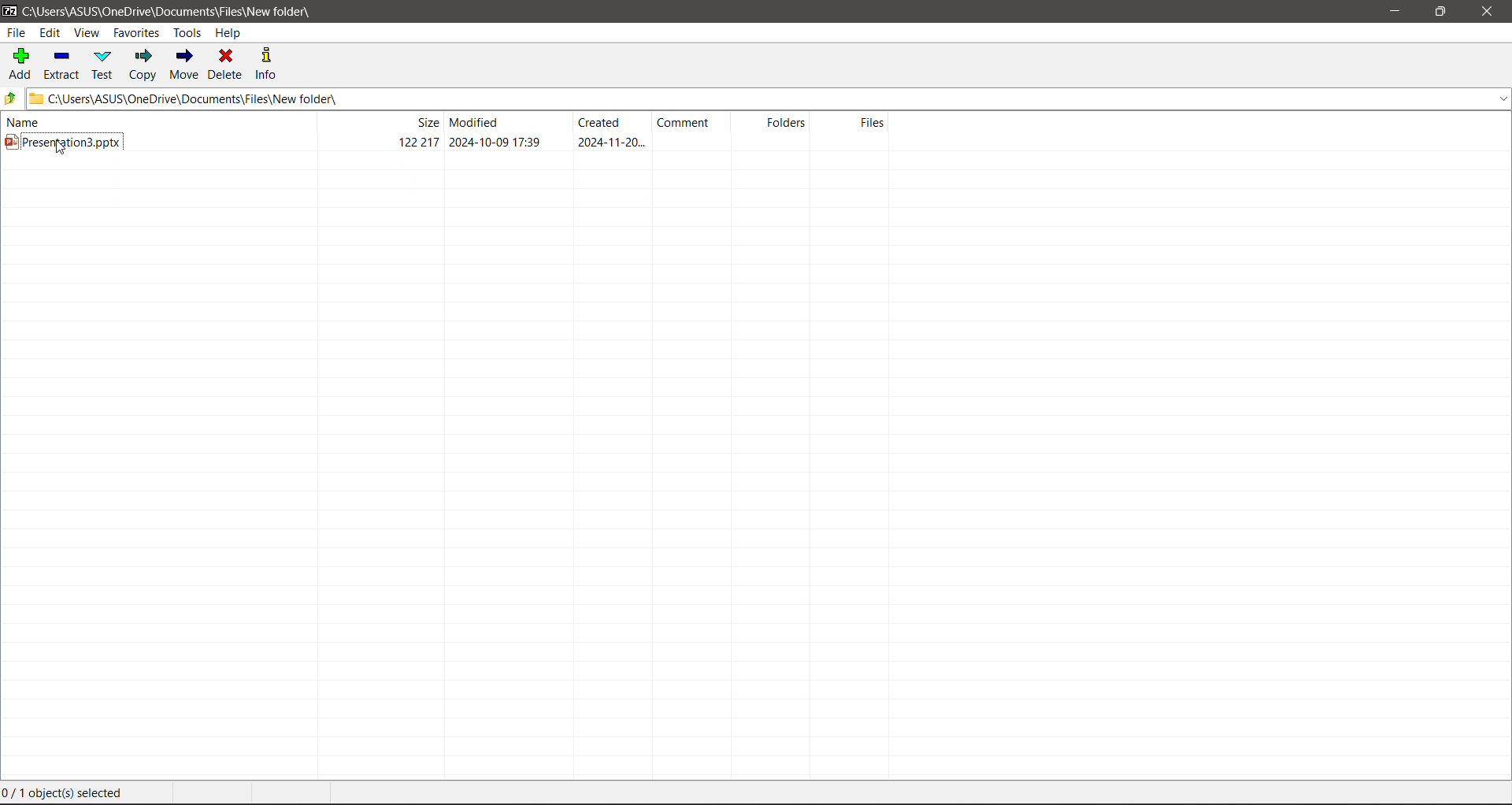  I want to click on Extract, so click(62, 65).